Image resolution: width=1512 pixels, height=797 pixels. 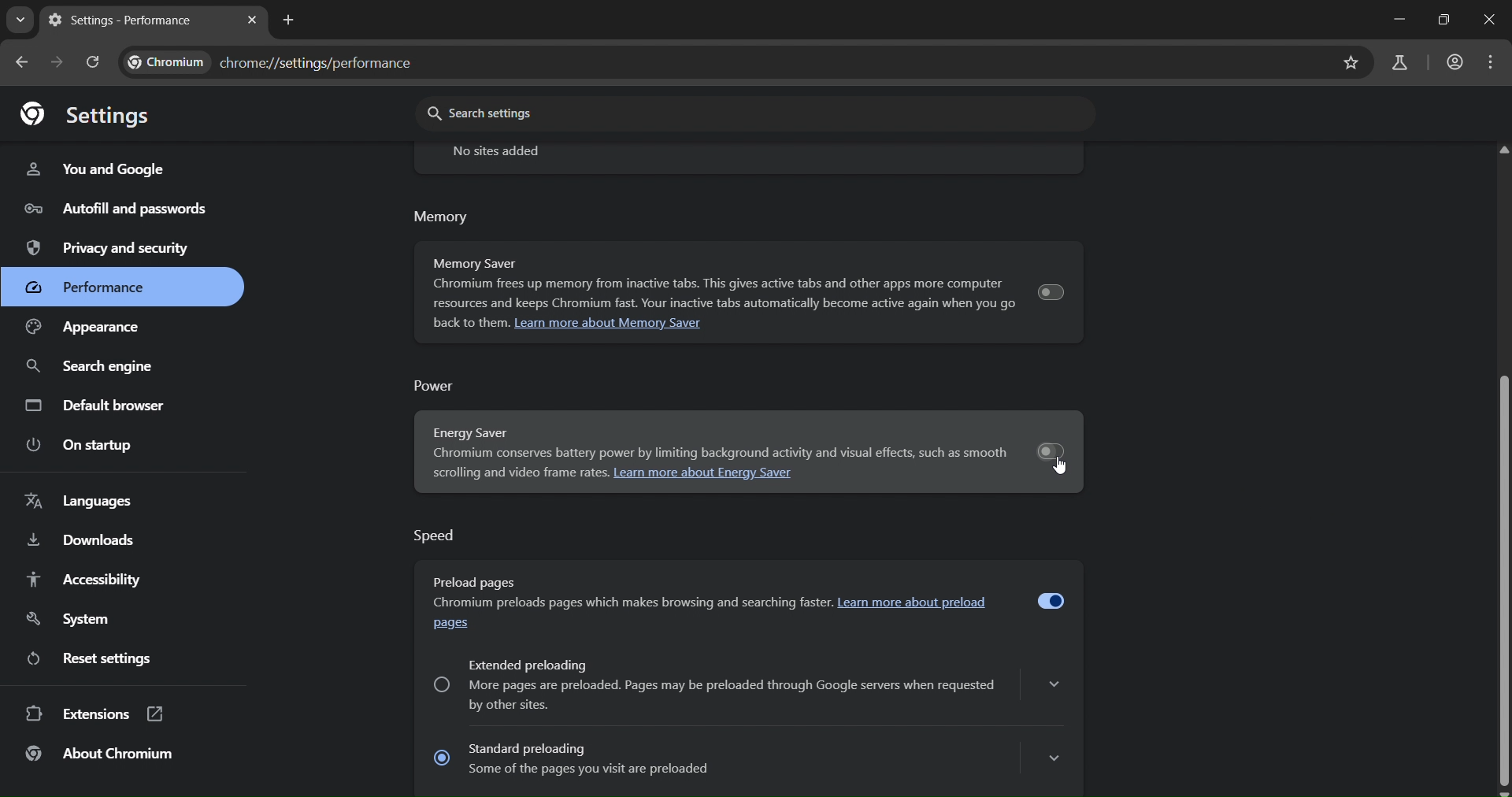 I want to click on accessibility, so click(x=89, y=579).